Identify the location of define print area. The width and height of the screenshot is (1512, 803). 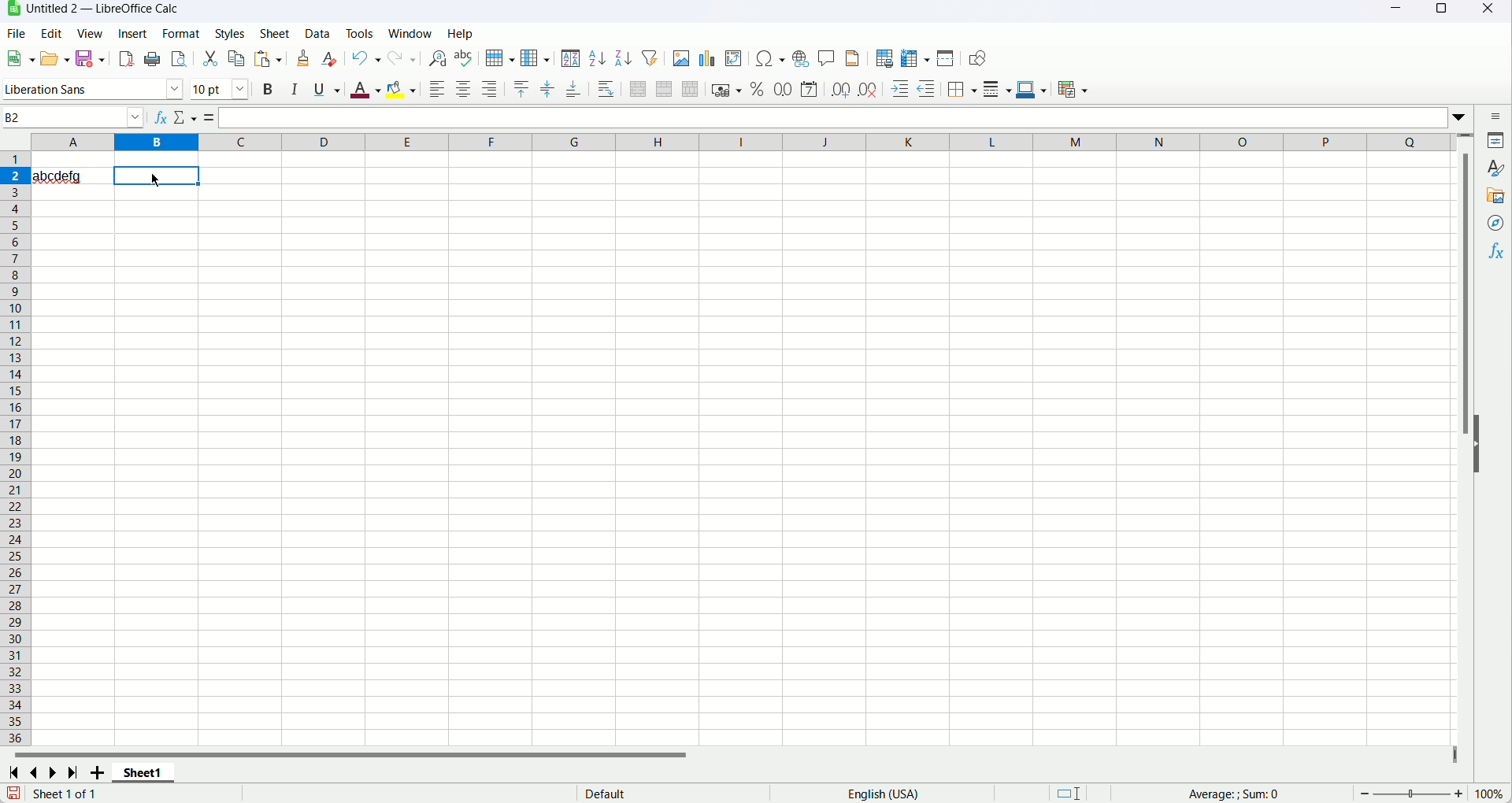
(886, 58).